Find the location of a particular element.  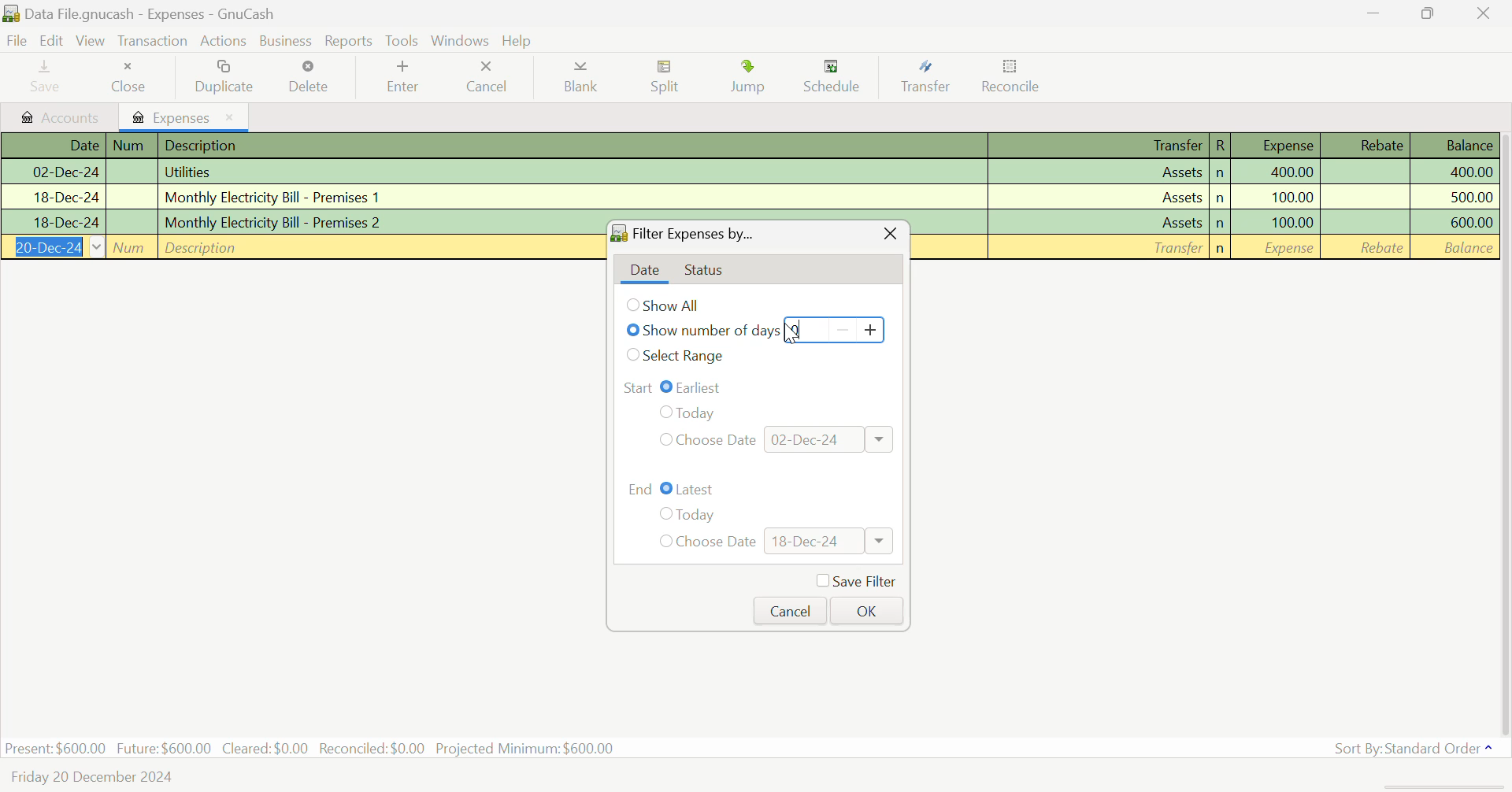

Actions is located at coordinates (225, 40).